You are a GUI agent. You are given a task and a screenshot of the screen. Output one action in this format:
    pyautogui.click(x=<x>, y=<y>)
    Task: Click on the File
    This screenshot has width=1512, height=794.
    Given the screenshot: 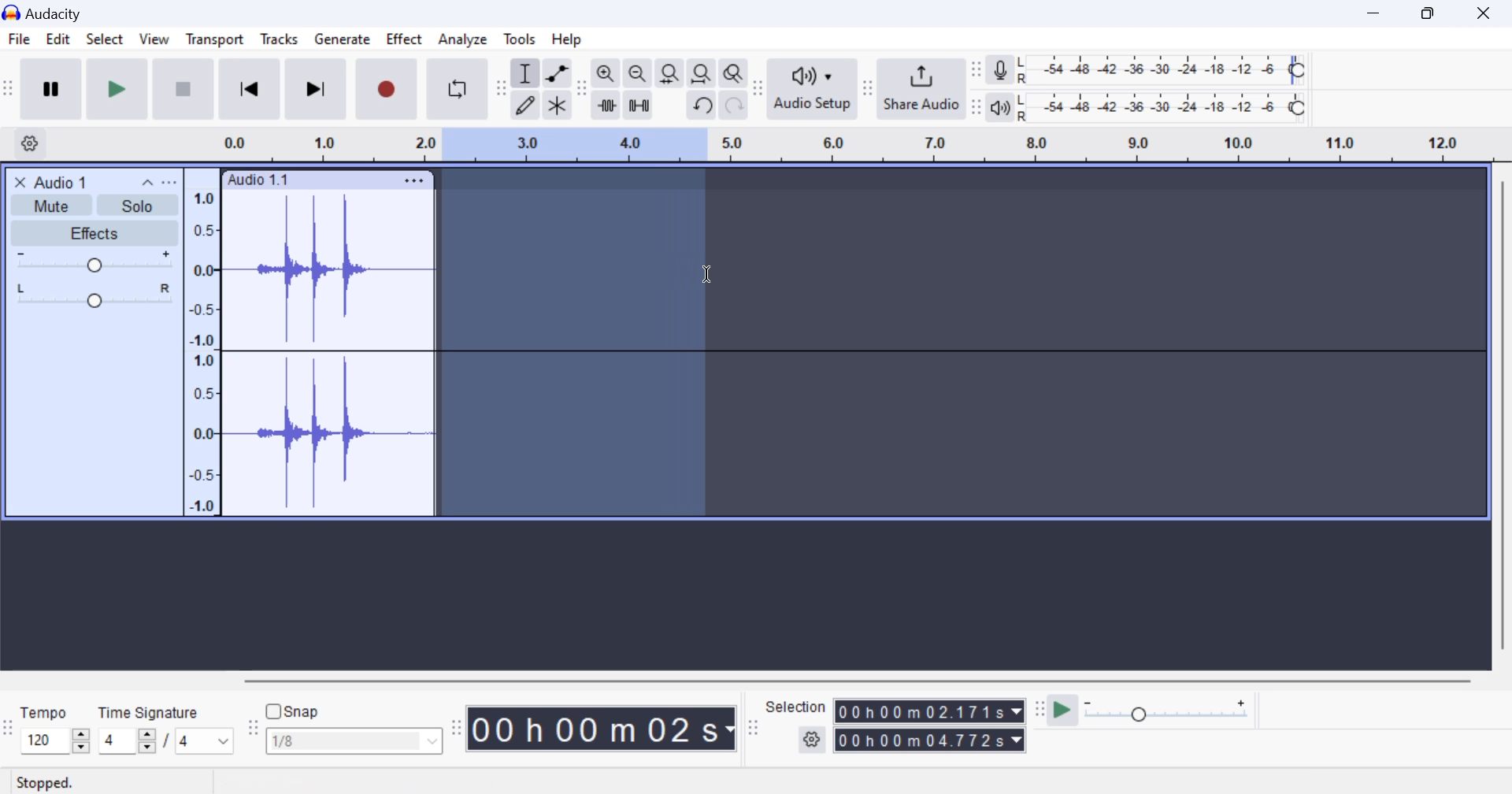 What is the action you would take?
    pyautogui.click(x=18, y=39)
    